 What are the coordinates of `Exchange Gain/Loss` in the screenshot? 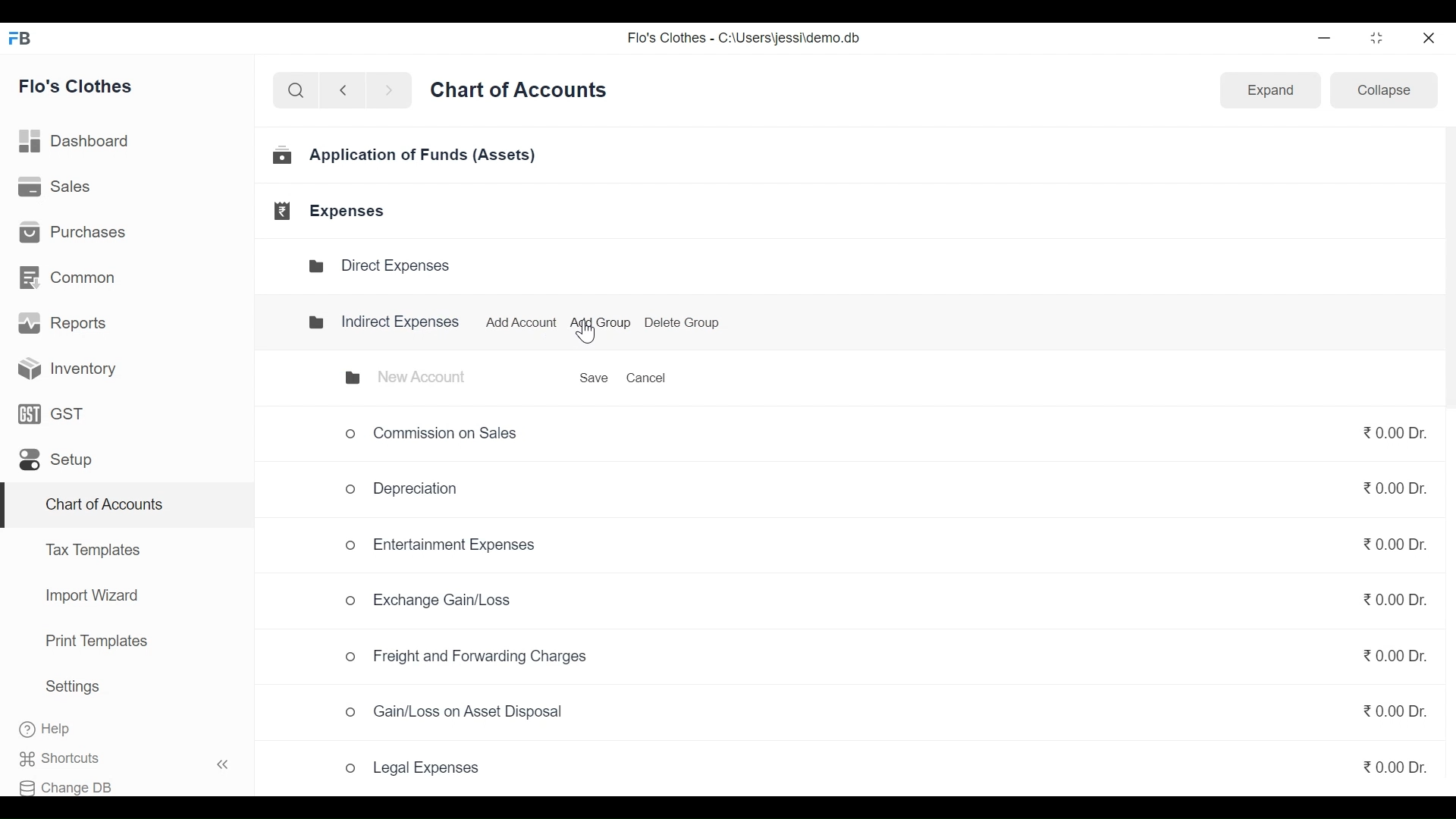 It's located at (436, 601).